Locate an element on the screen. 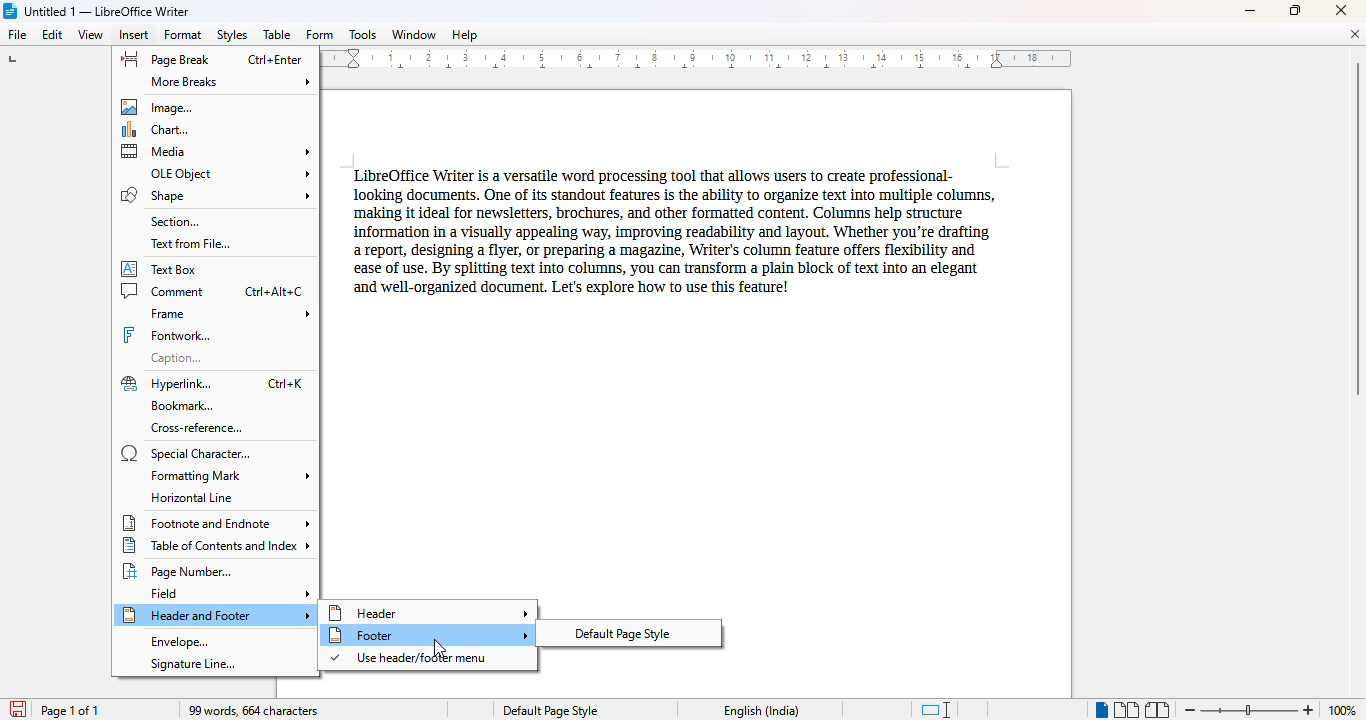 Image resolution: width=1366 pixels, height=720 pixels. bookmark is located at coordinates (181, 406).